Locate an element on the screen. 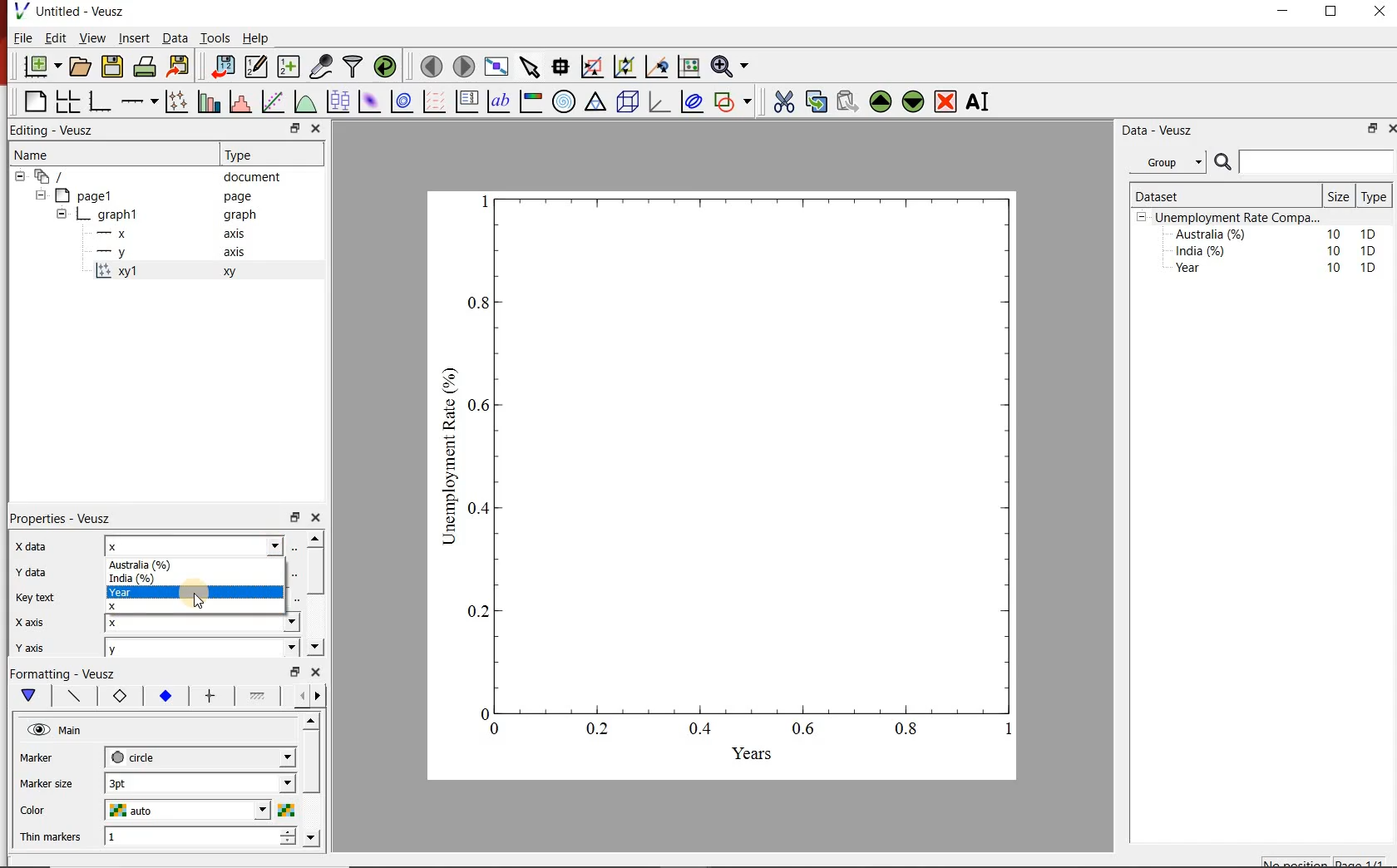  filter data is located at coordinates (352, 67).